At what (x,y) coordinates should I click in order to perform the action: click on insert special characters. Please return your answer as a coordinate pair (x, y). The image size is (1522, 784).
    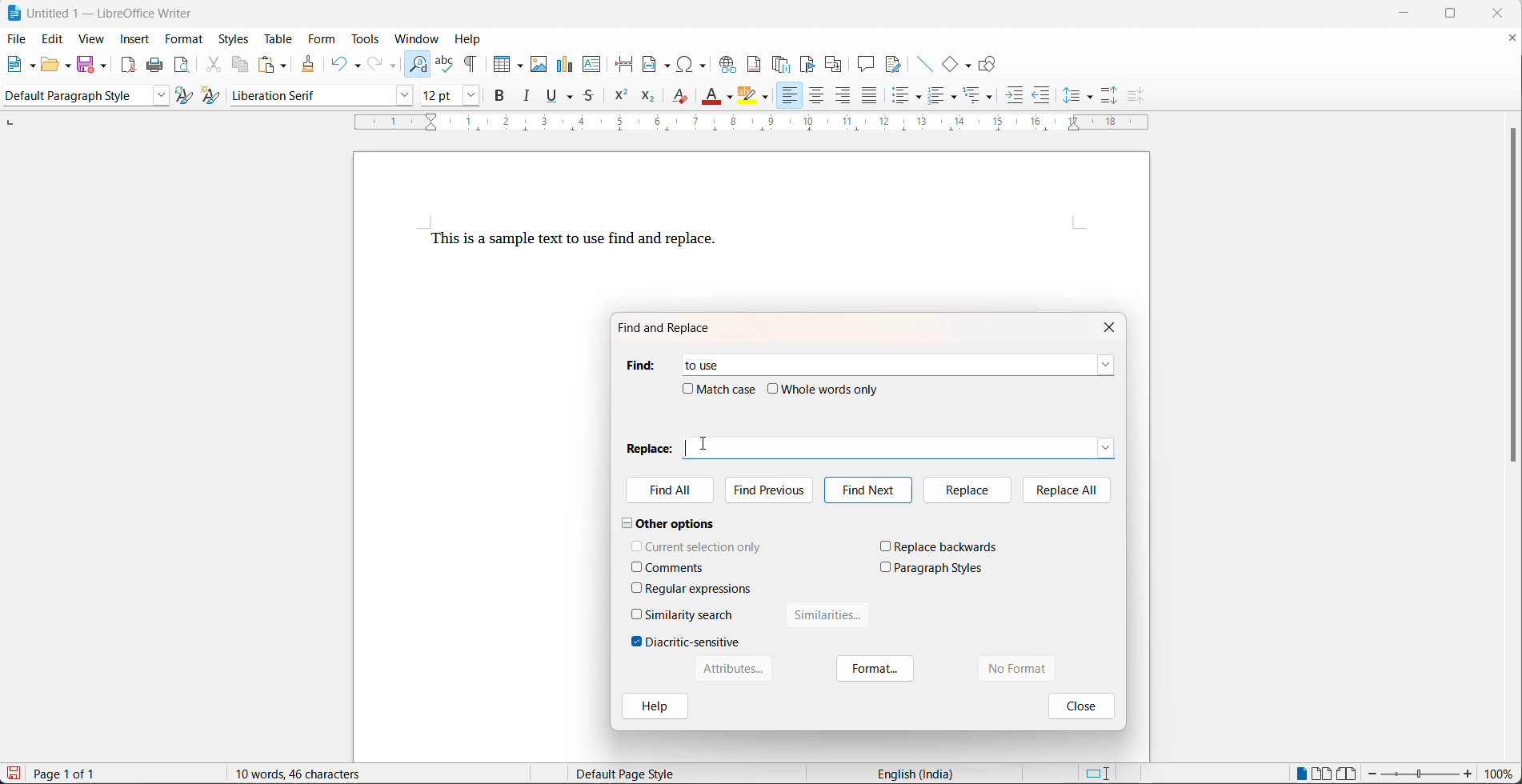
    Looking at the image, I should click on (696, 64).